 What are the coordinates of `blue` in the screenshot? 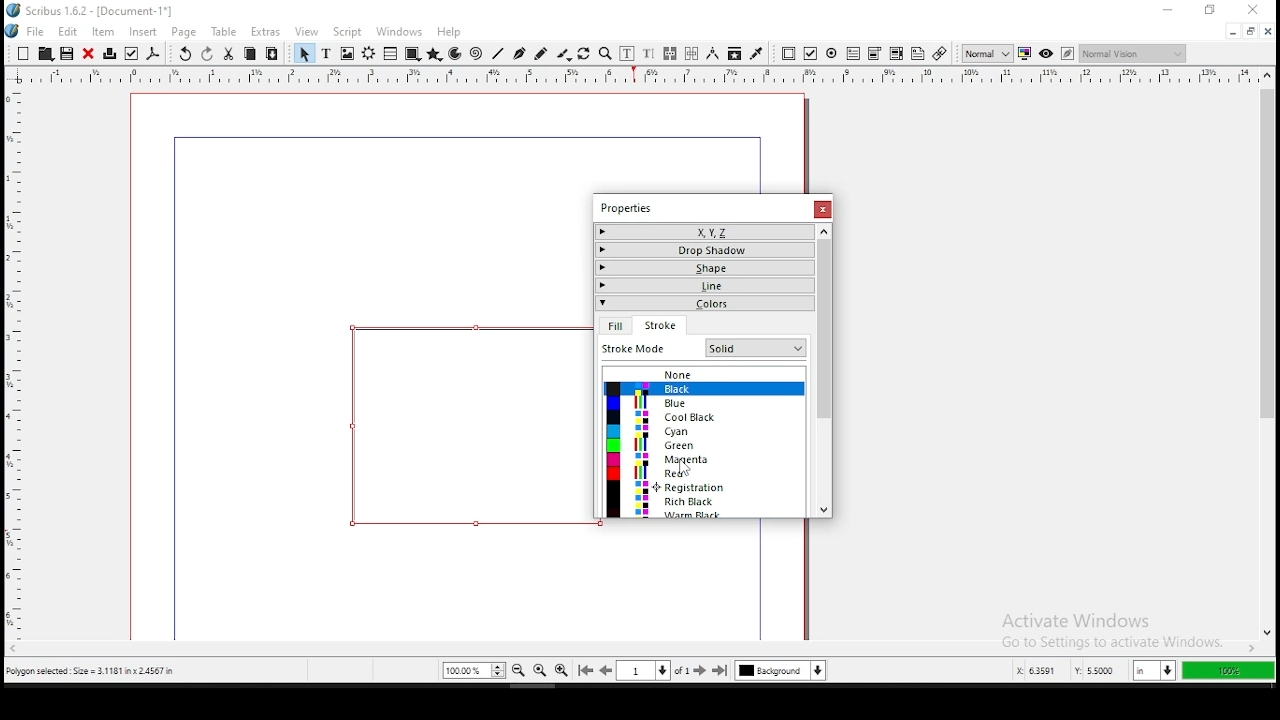 It's located at (703, 403).